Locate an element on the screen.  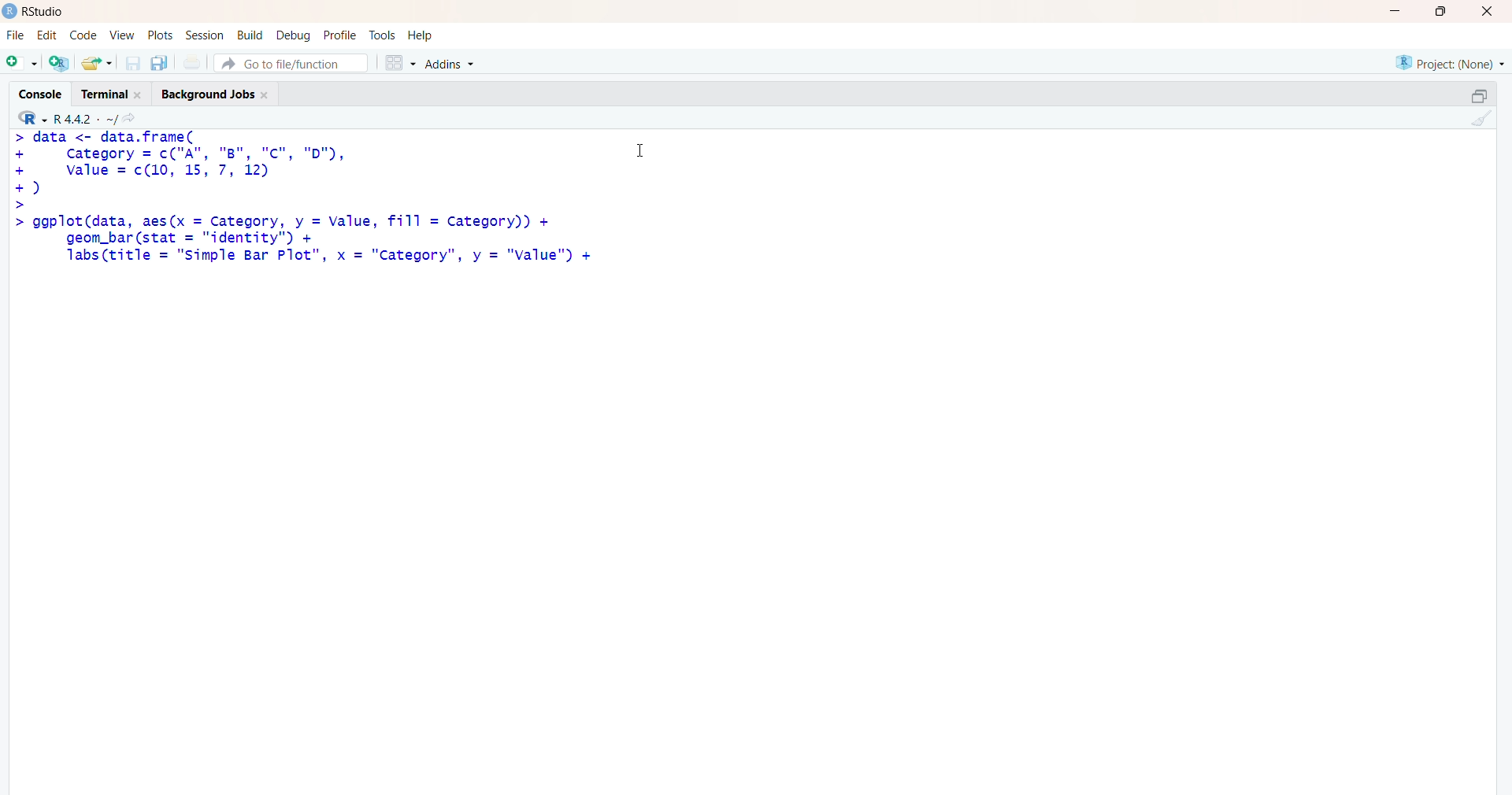
new file is located at coordinates (21, 61).